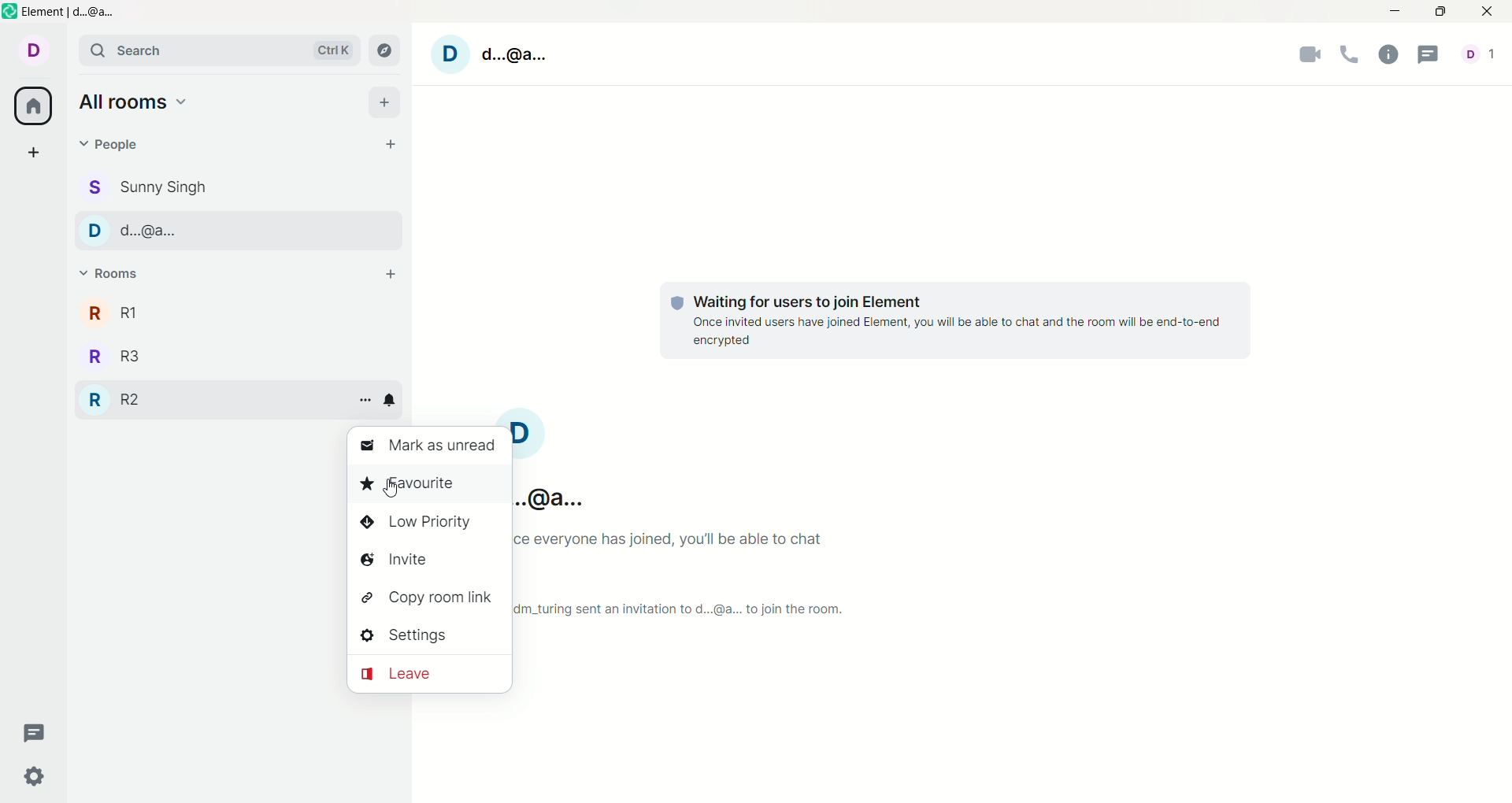  I want to click on add, so click(391, 276).